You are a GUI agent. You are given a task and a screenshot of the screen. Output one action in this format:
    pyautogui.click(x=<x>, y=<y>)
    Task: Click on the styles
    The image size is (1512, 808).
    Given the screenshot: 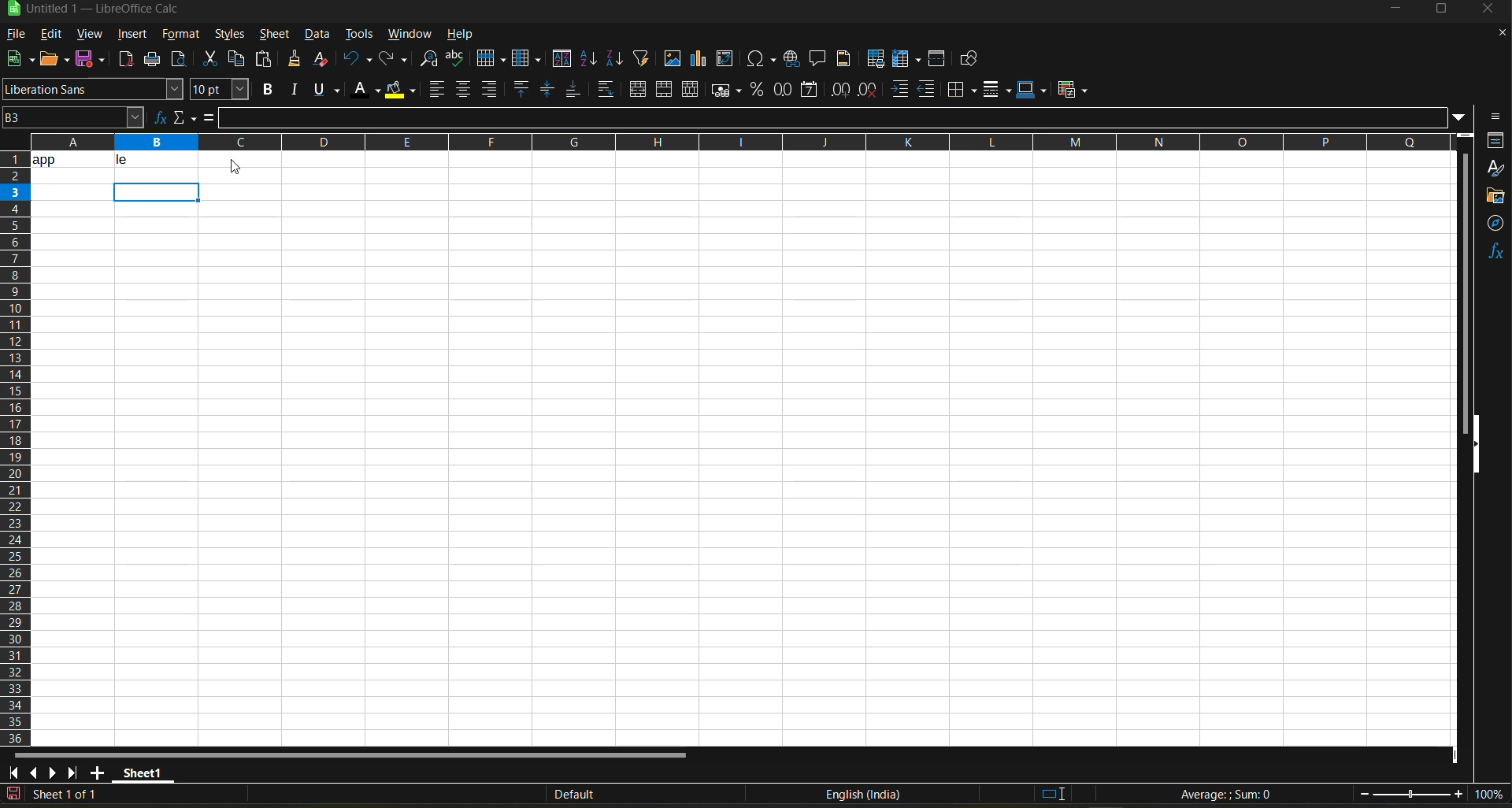 What is the action you would take?
    pyautogui.click(x=228, y=35)
    